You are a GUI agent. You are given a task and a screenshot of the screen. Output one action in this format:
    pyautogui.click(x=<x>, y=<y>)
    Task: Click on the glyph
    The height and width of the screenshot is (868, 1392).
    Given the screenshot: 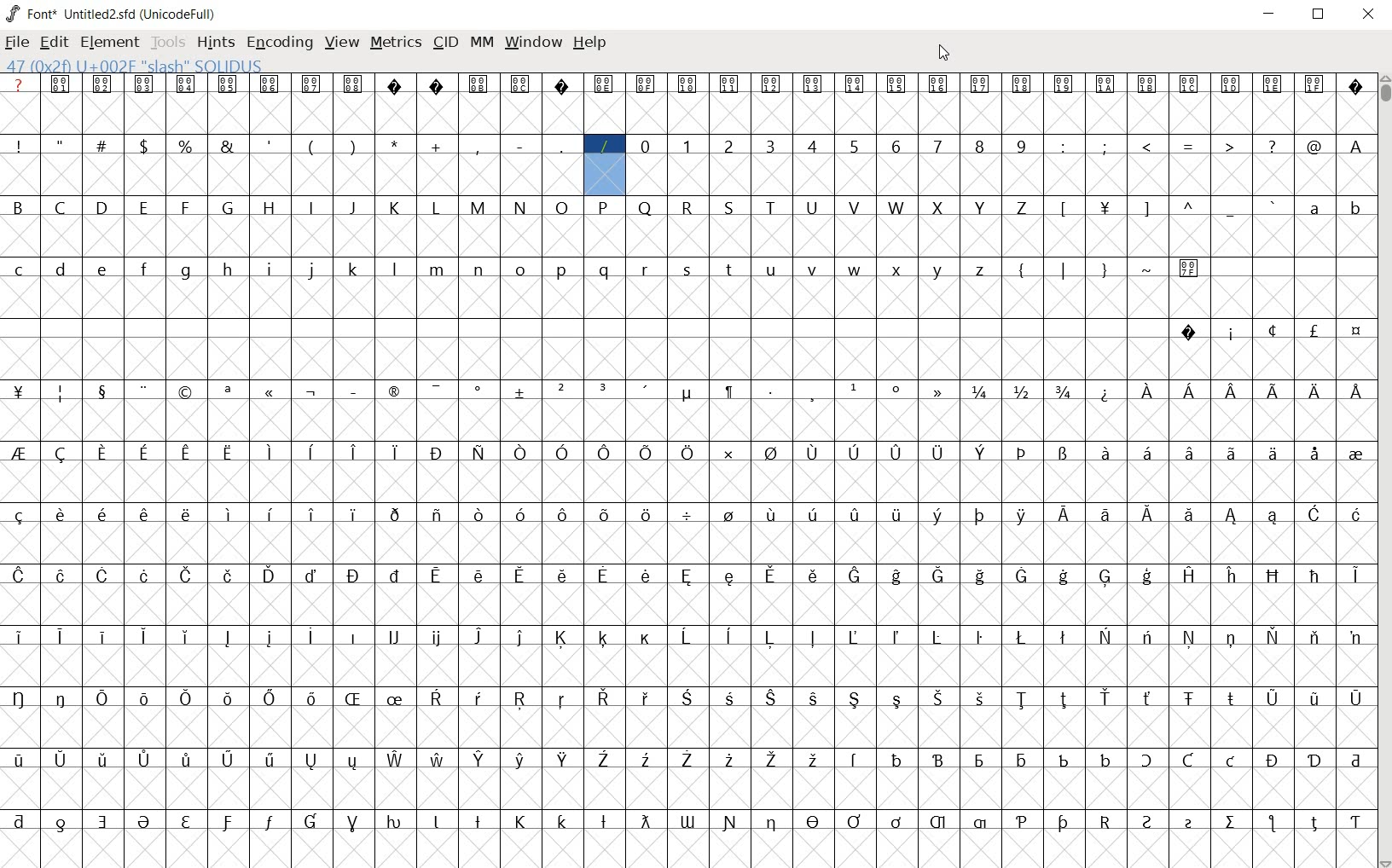 What is the action you would take?
    pyautogui.click(x=561, y=700)
    